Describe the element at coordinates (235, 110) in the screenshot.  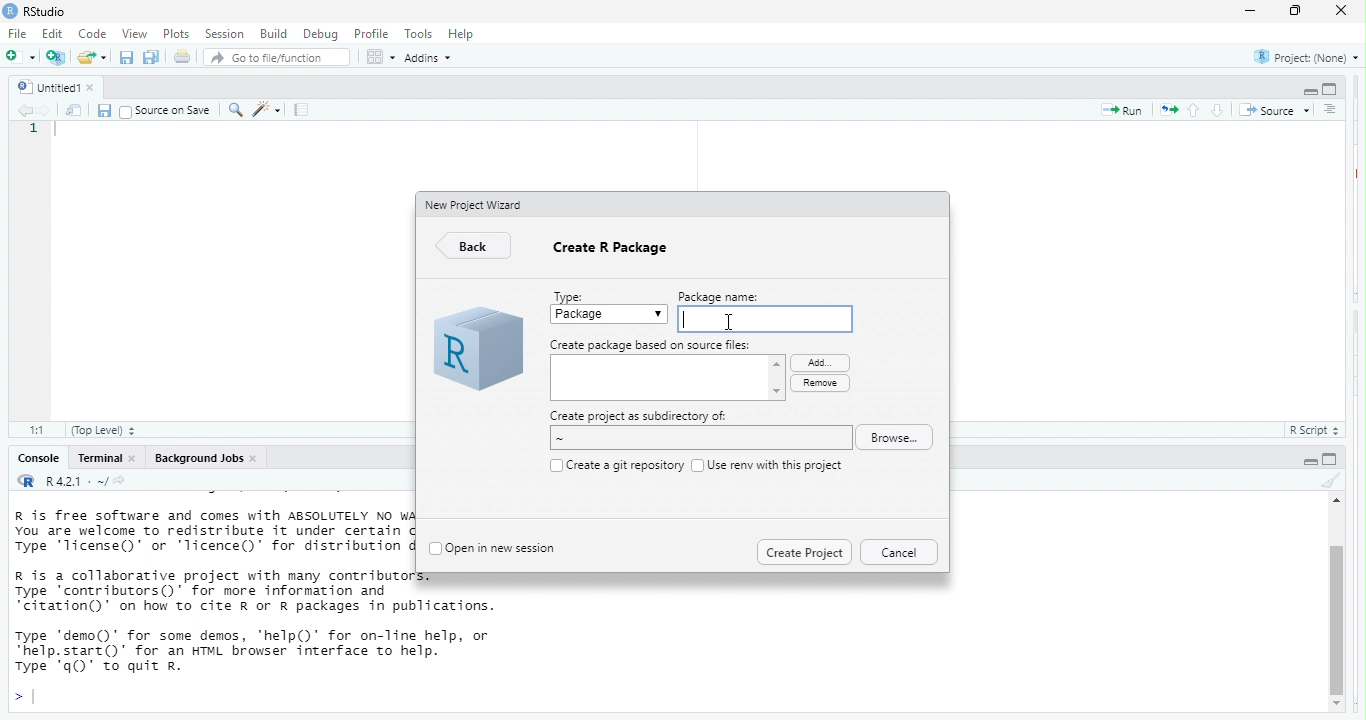
I see `find /replace` at that location.